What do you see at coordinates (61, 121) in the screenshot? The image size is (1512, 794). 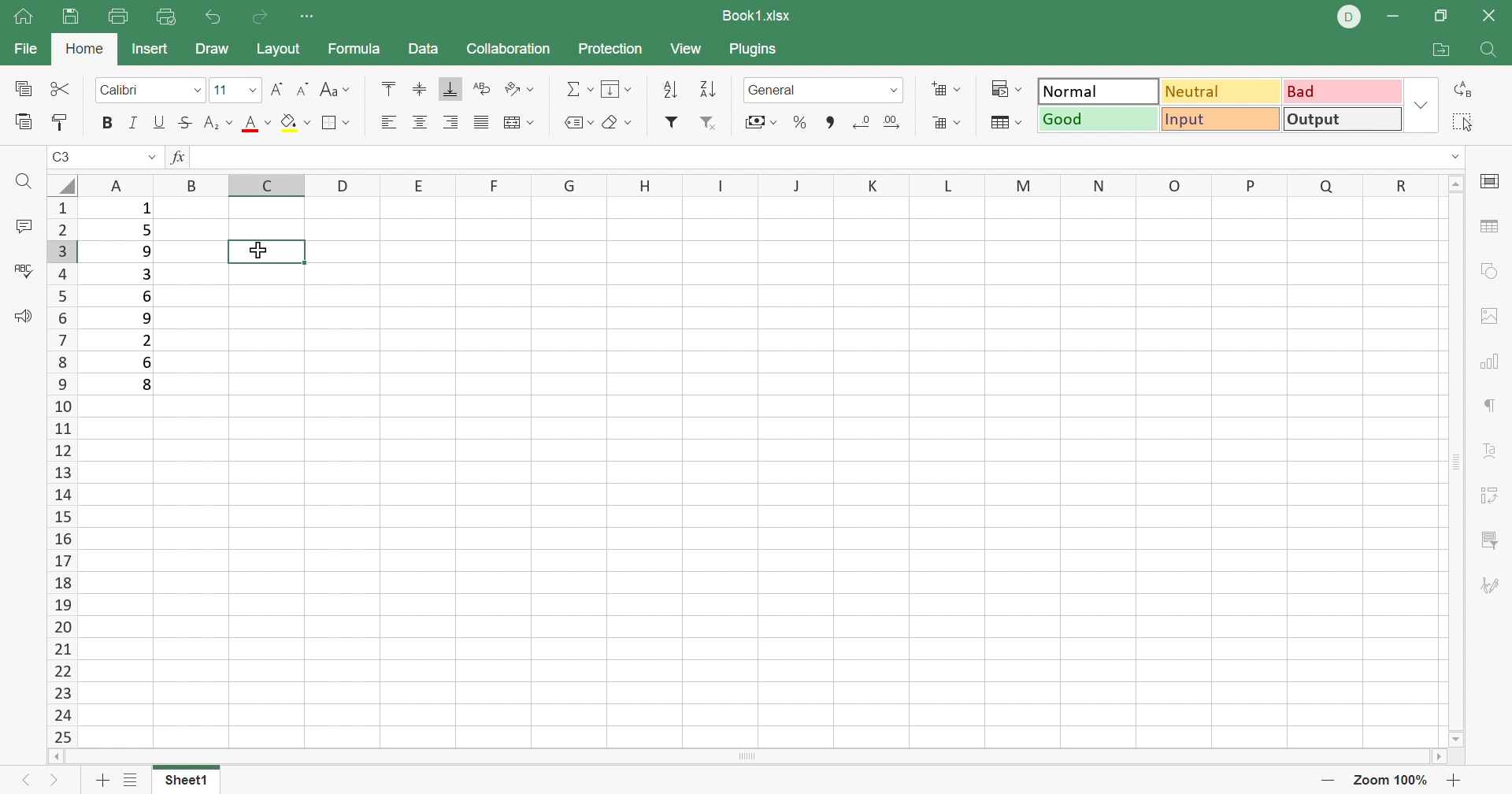 I see `Copy style` at bounding box center [61, 121].